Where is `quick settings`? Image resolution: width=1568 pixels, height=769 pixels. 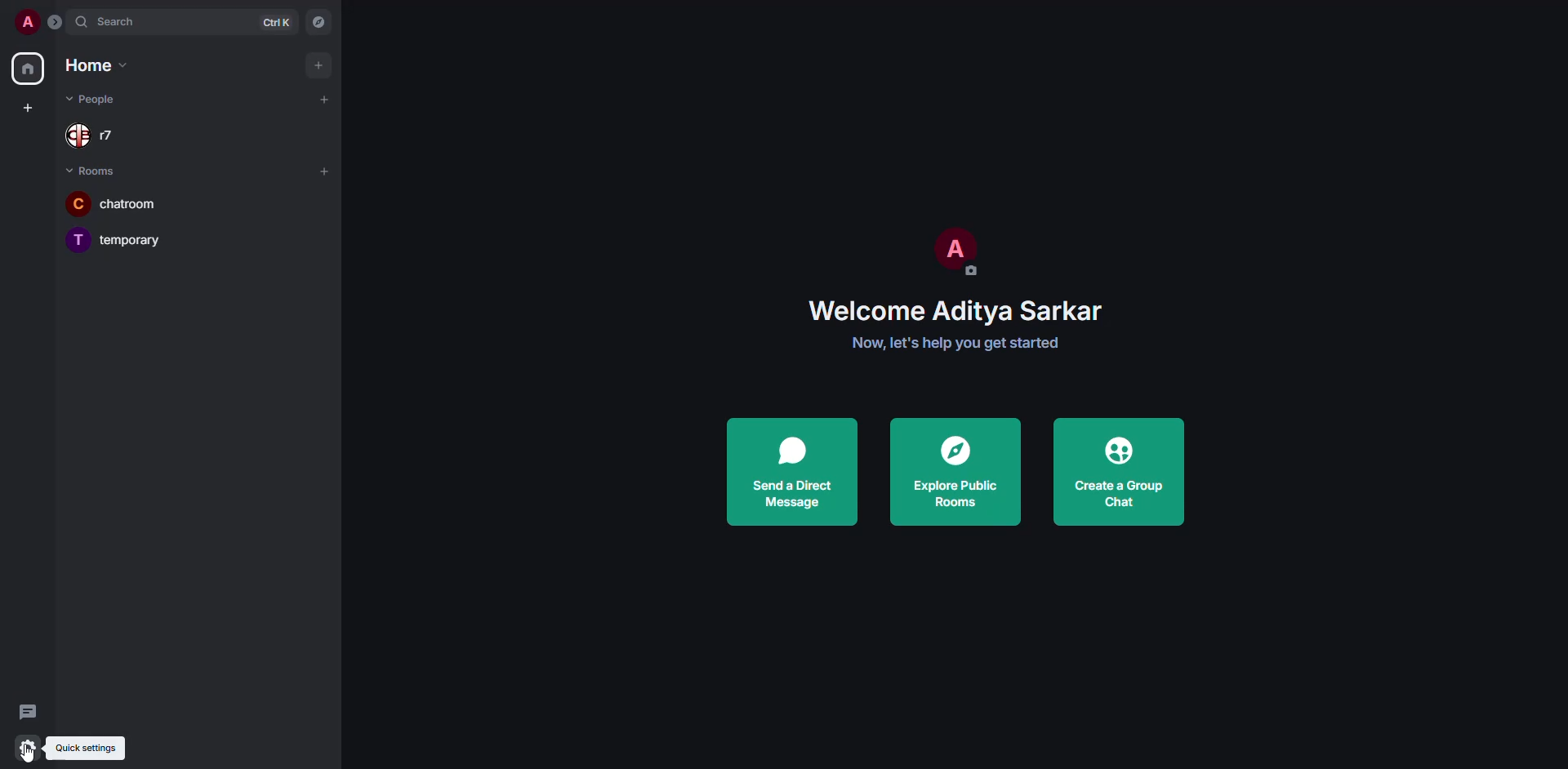
quick settings is located at coordinates (87, 749).